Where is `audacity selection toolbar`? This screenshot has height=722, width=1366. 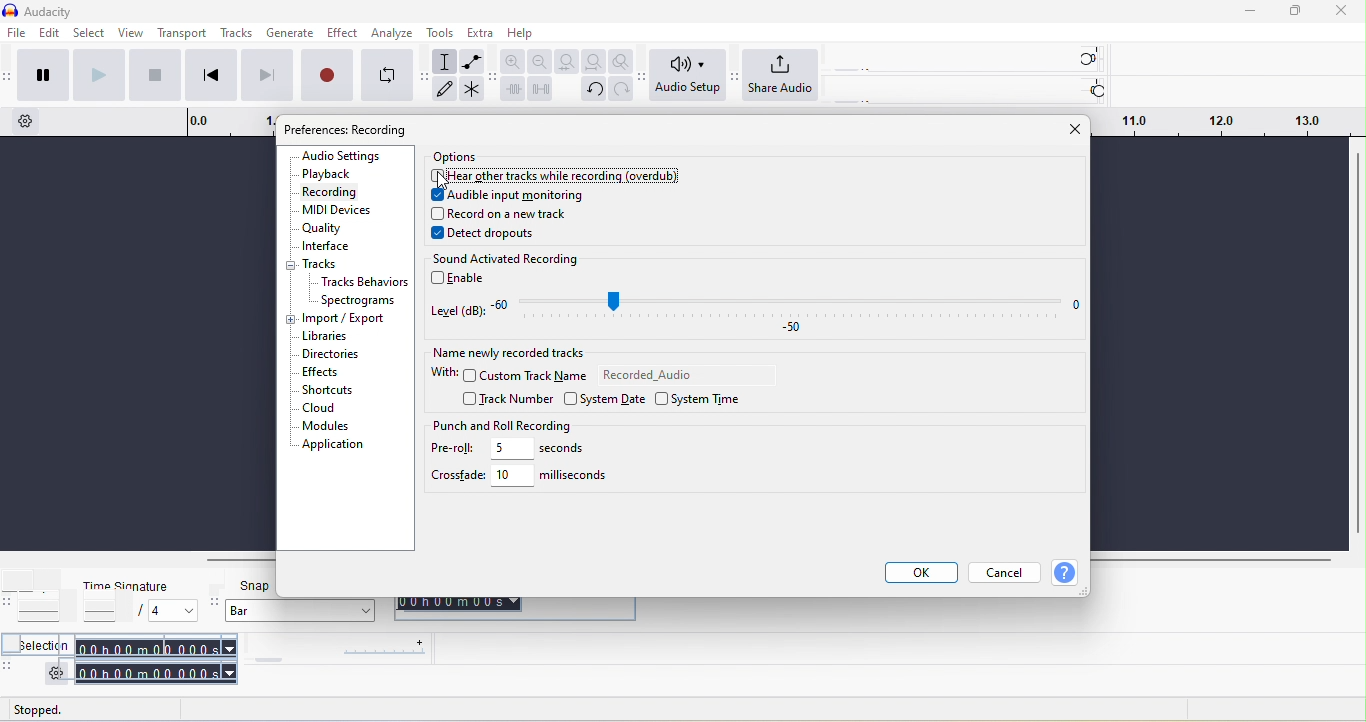
audacity selection toolbar is located at coordinates (9, 661).